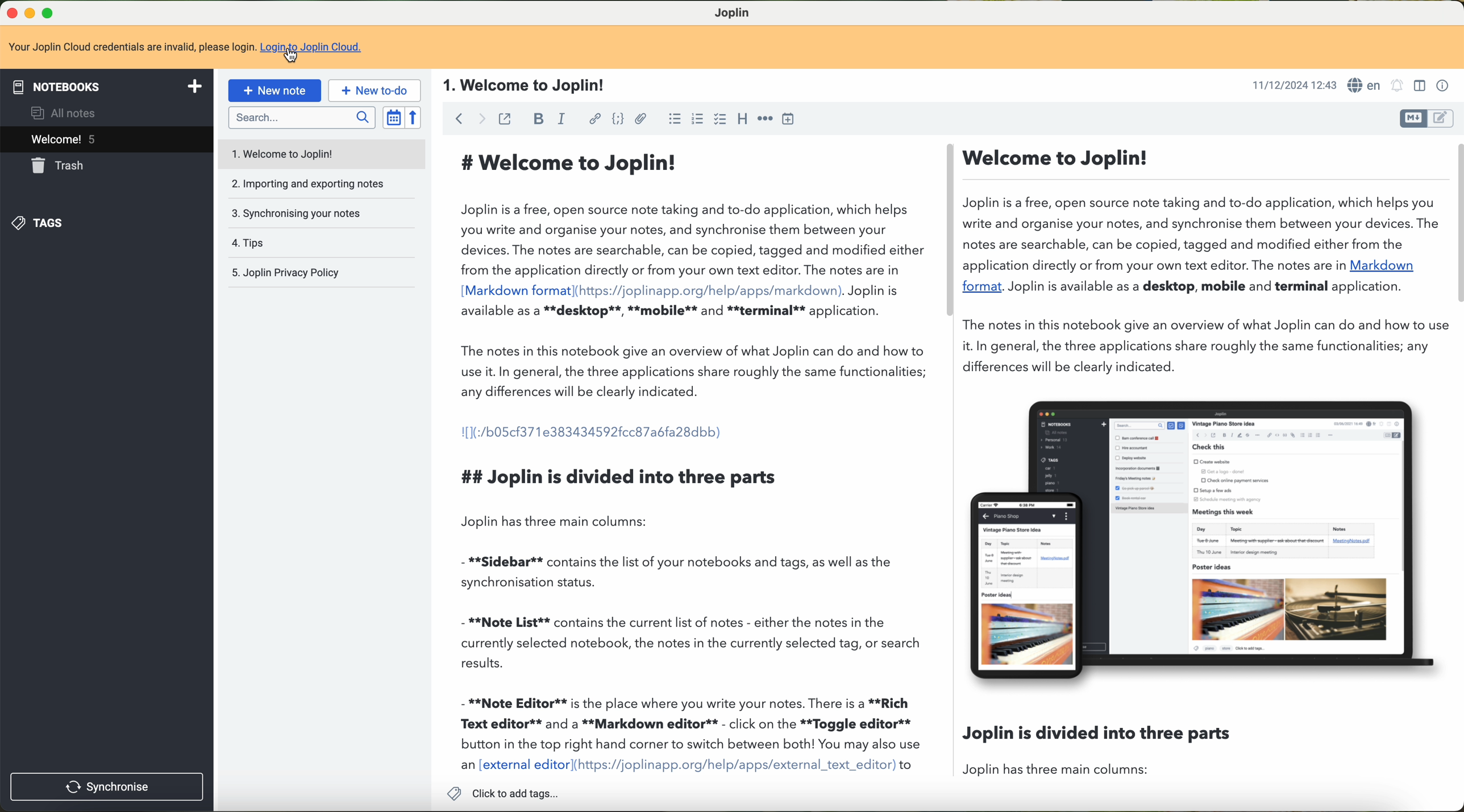 The height and width of the screenshot is (812, 1464). Describe the element at coordinates (558, 118) in the screenshot. I see `italic` at that location.